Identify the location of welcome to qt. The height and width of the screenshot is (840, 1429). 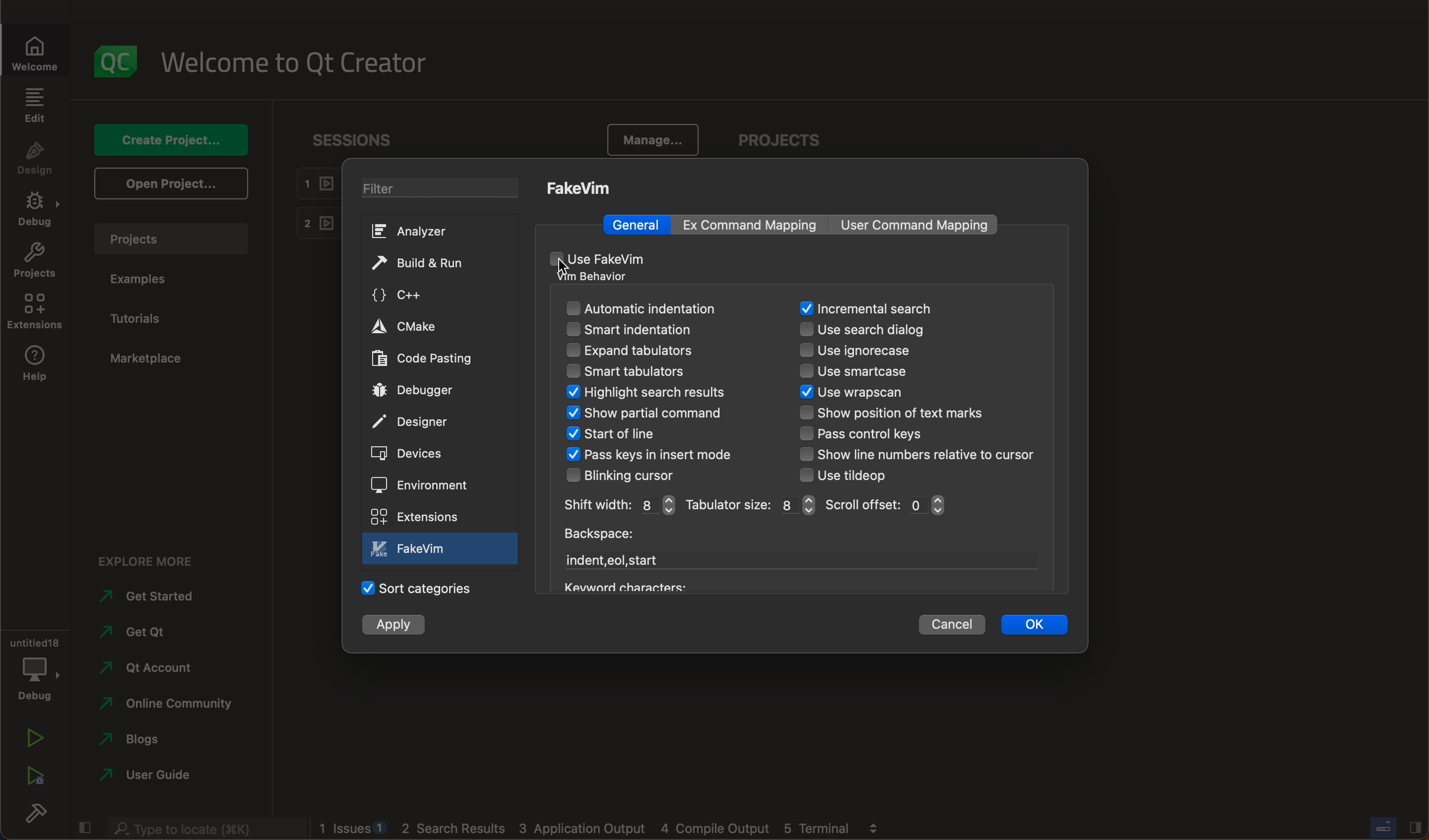
(301, 63).